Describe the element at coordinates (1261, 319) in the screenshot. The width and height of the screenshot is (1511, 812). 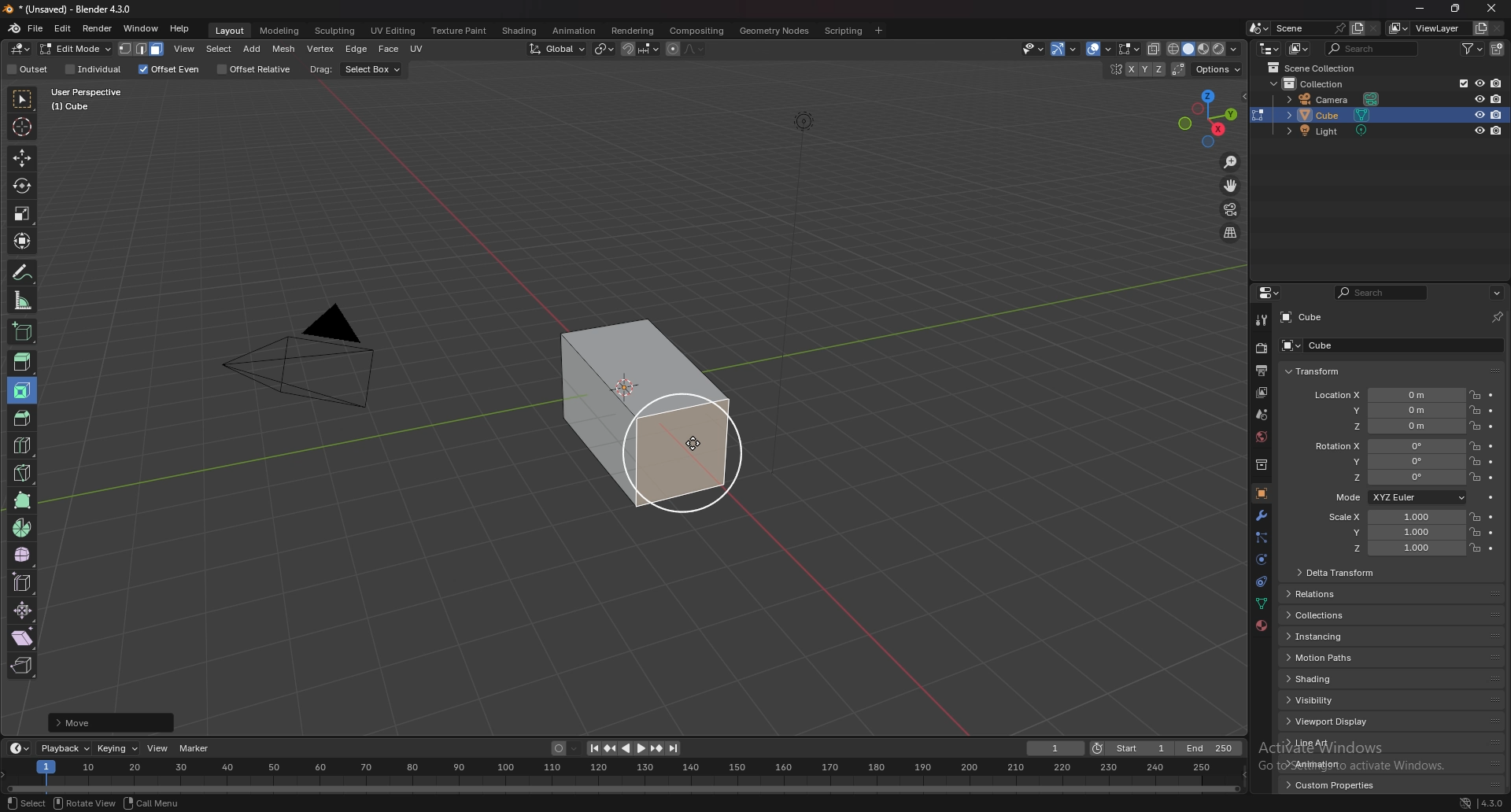
I see `tool` at that location.